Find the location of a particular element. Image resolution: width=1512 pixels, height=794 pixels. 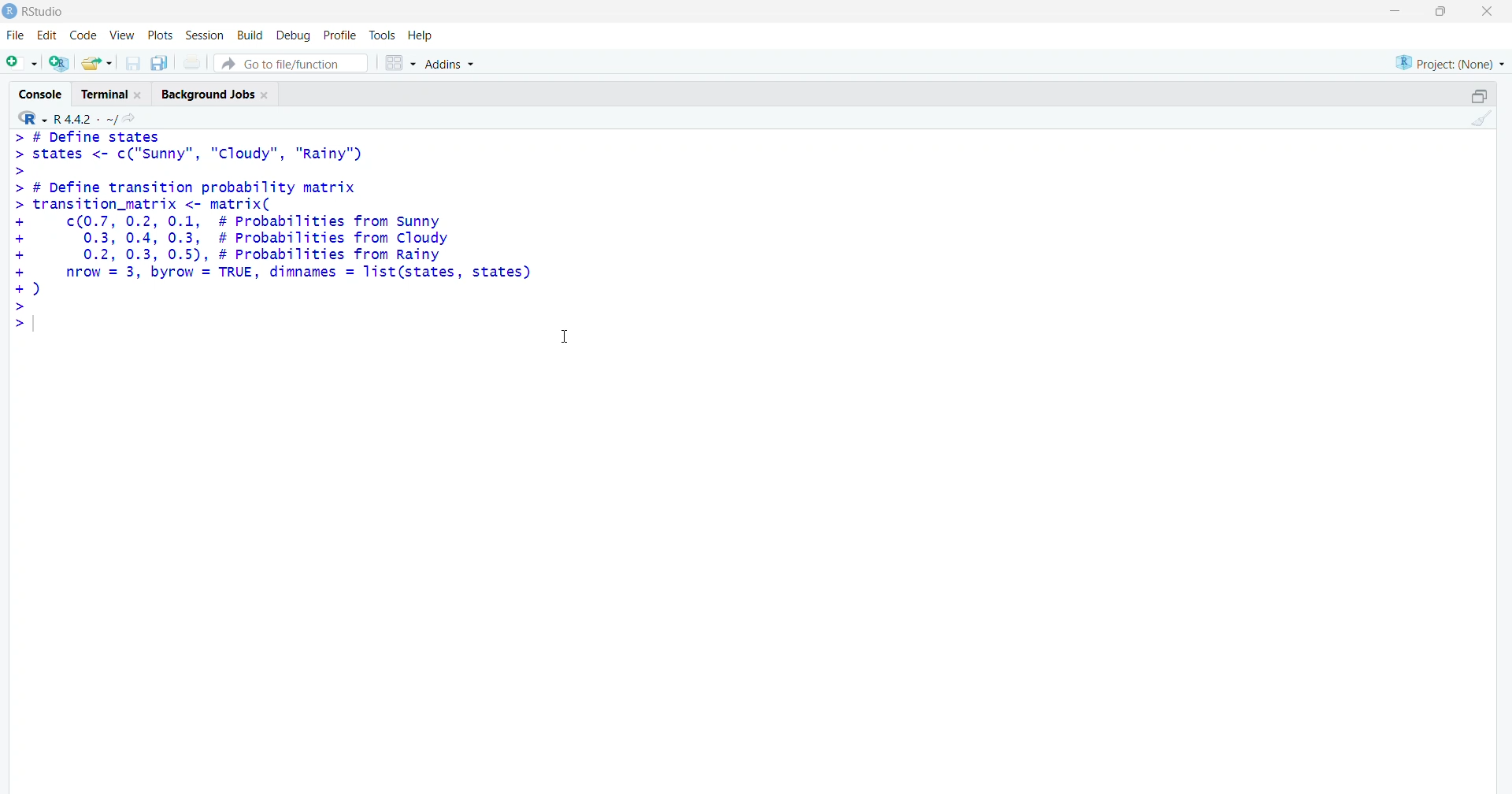

rstudio is located at coordinates (35, 11).